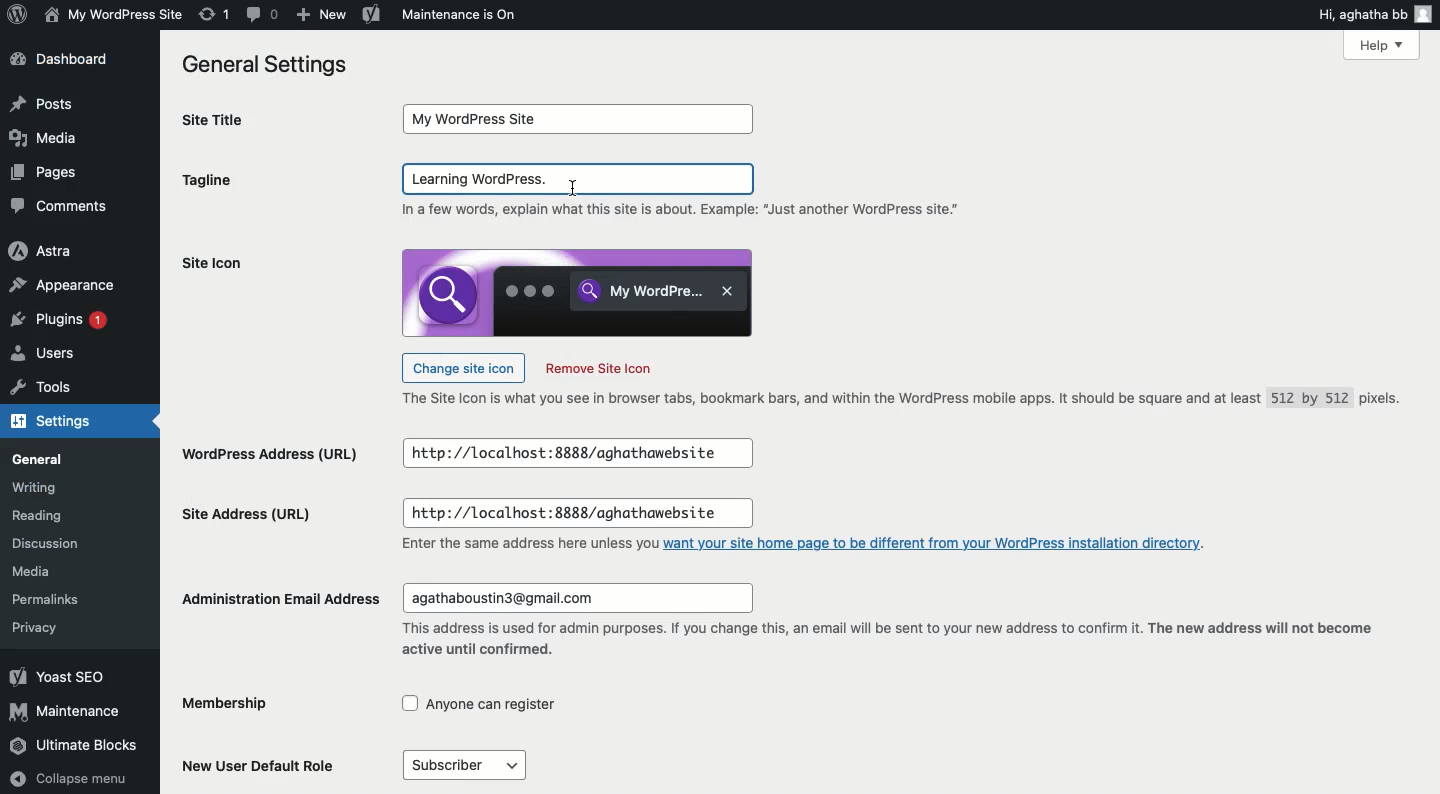  What do you see at coordinates (53, 546) in the screenshot?
I see `Discussion` at bounding box center [53, 546].